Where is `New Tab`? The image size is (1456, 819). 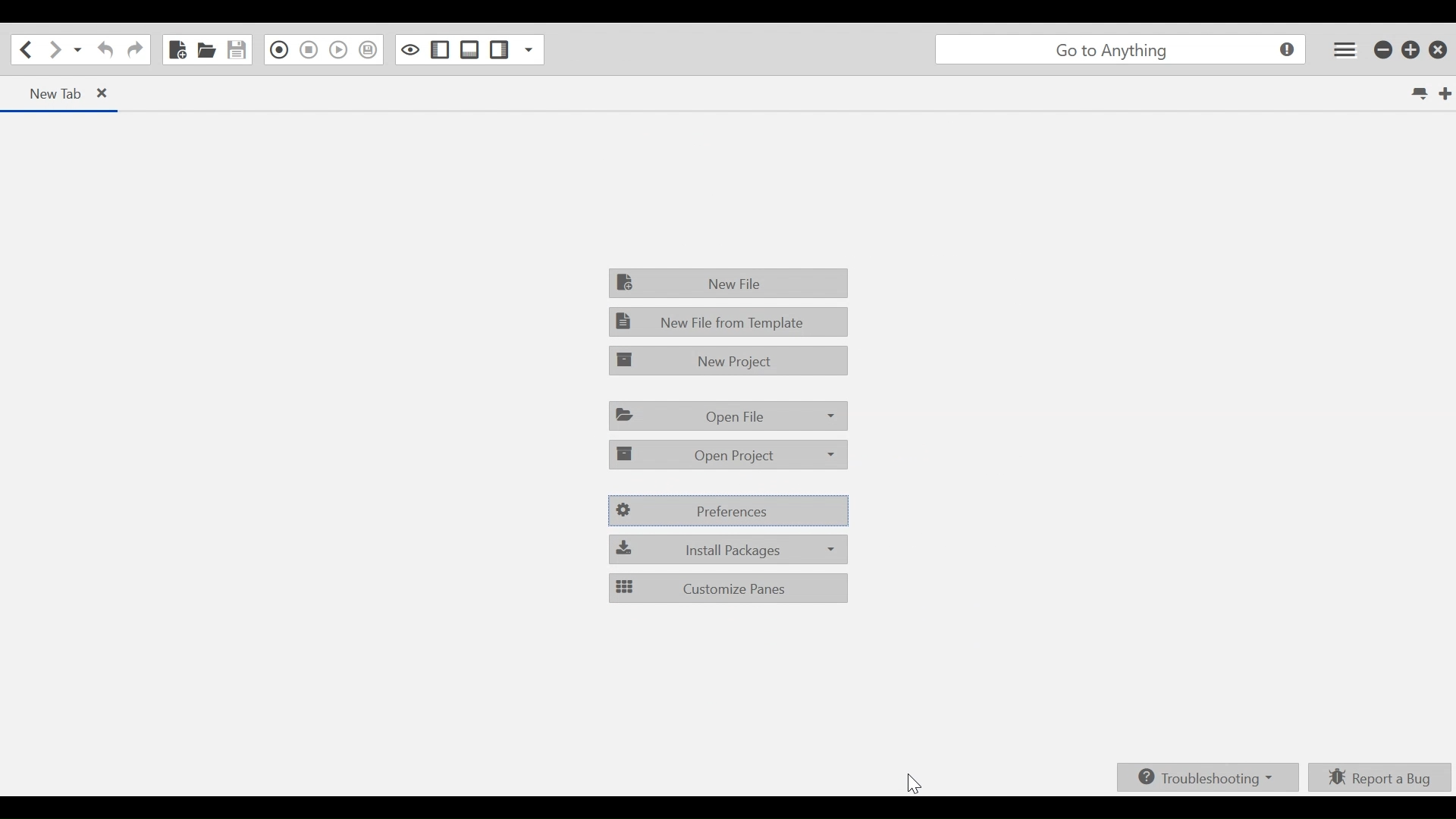 New Tab is located at coordinates (1443, 93).